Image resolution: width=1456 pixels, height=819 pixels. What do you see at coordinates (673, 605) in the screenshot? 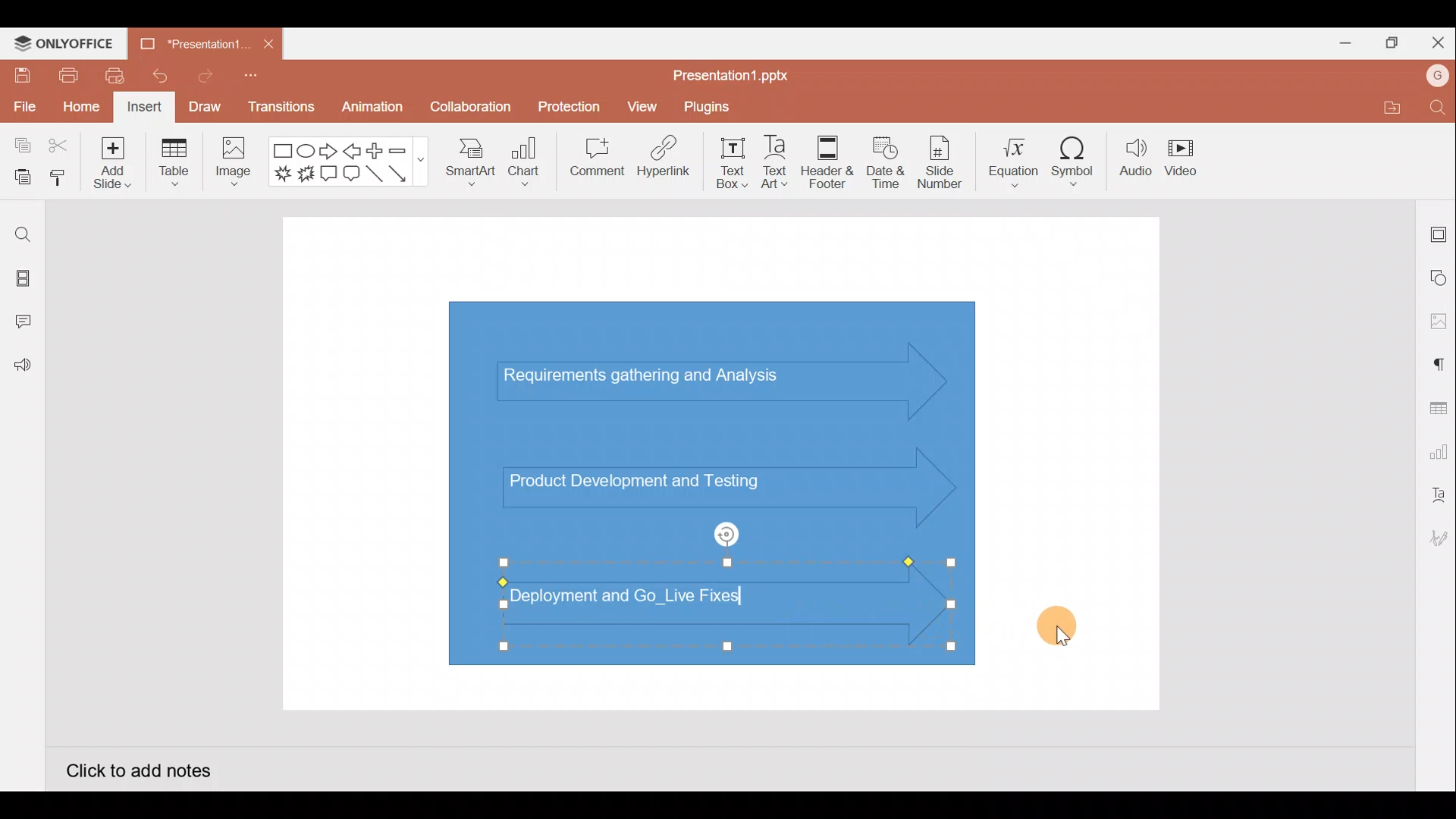
I see `Text (Deployment and Go_Live Fixes) on 3rd inserted arrow shape` at bounding box center [673, 605].